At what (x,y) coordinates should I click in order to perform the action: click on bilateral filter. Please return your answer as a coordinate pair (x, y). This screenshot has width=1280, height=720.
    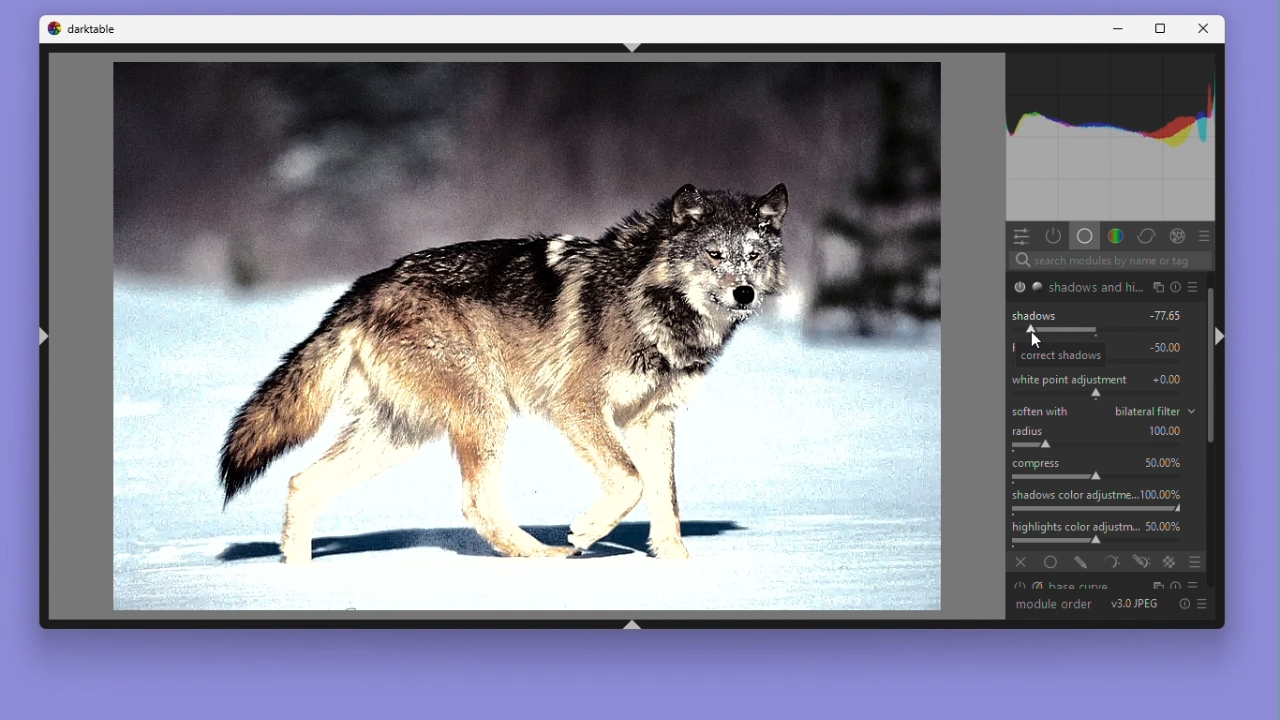
    Looking at the image, I should click on (1154, 410).